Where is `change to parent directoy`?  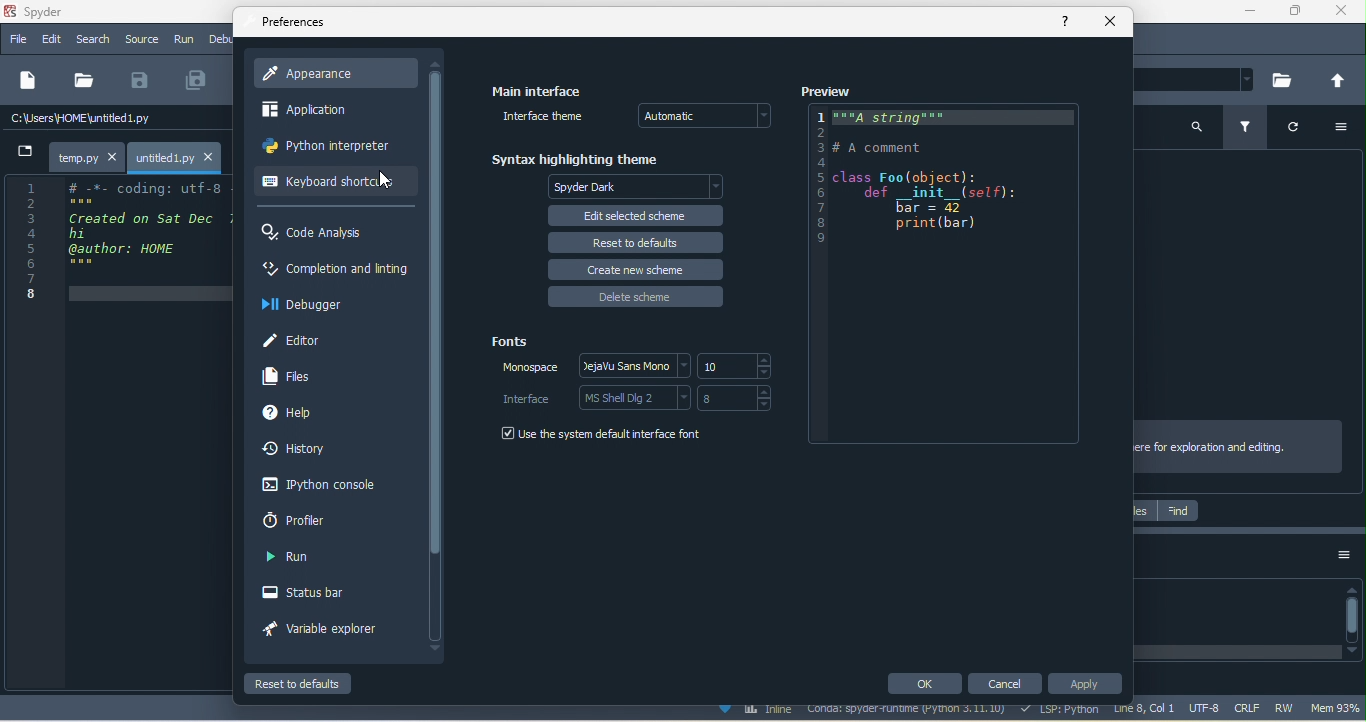
change to parent directoy is located at coordinates (1336, 80).